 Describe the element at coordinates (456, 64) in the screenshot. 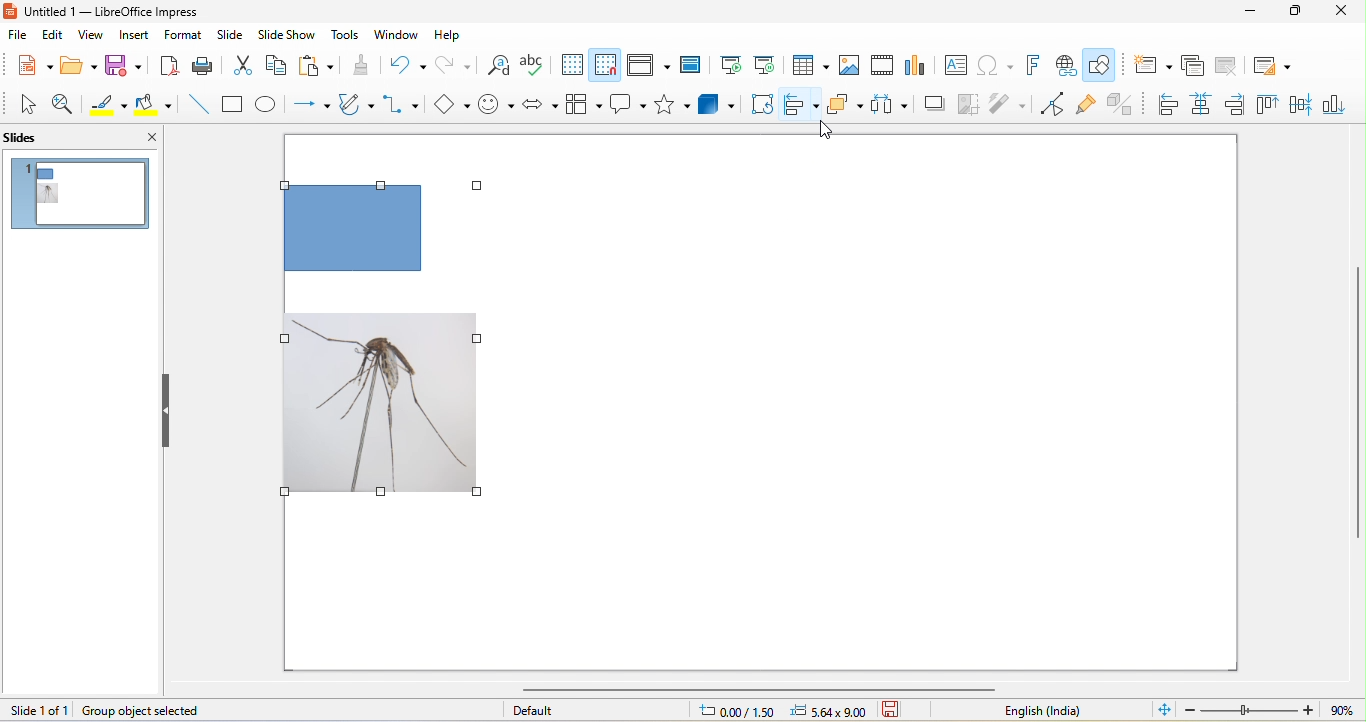

I see `redo` at that location.